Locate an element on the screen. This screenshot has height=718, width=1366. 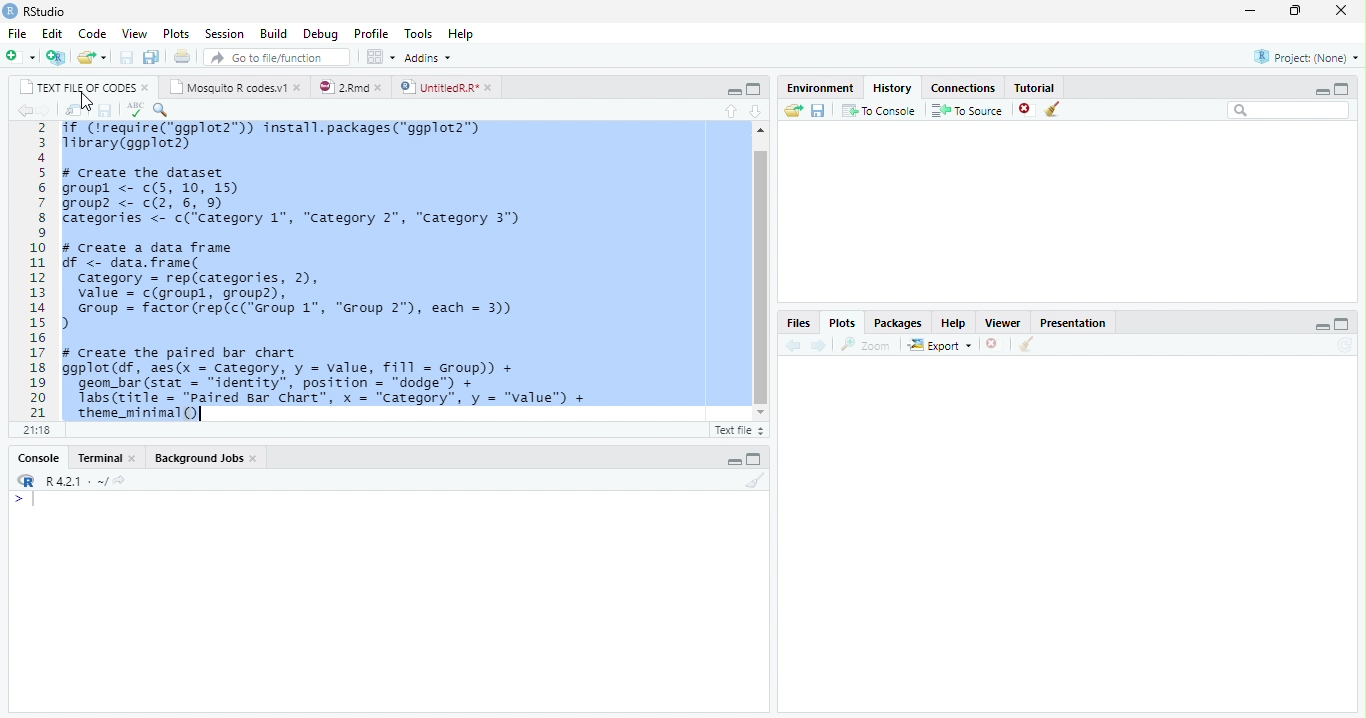
session is located at coordinates (222, 33).